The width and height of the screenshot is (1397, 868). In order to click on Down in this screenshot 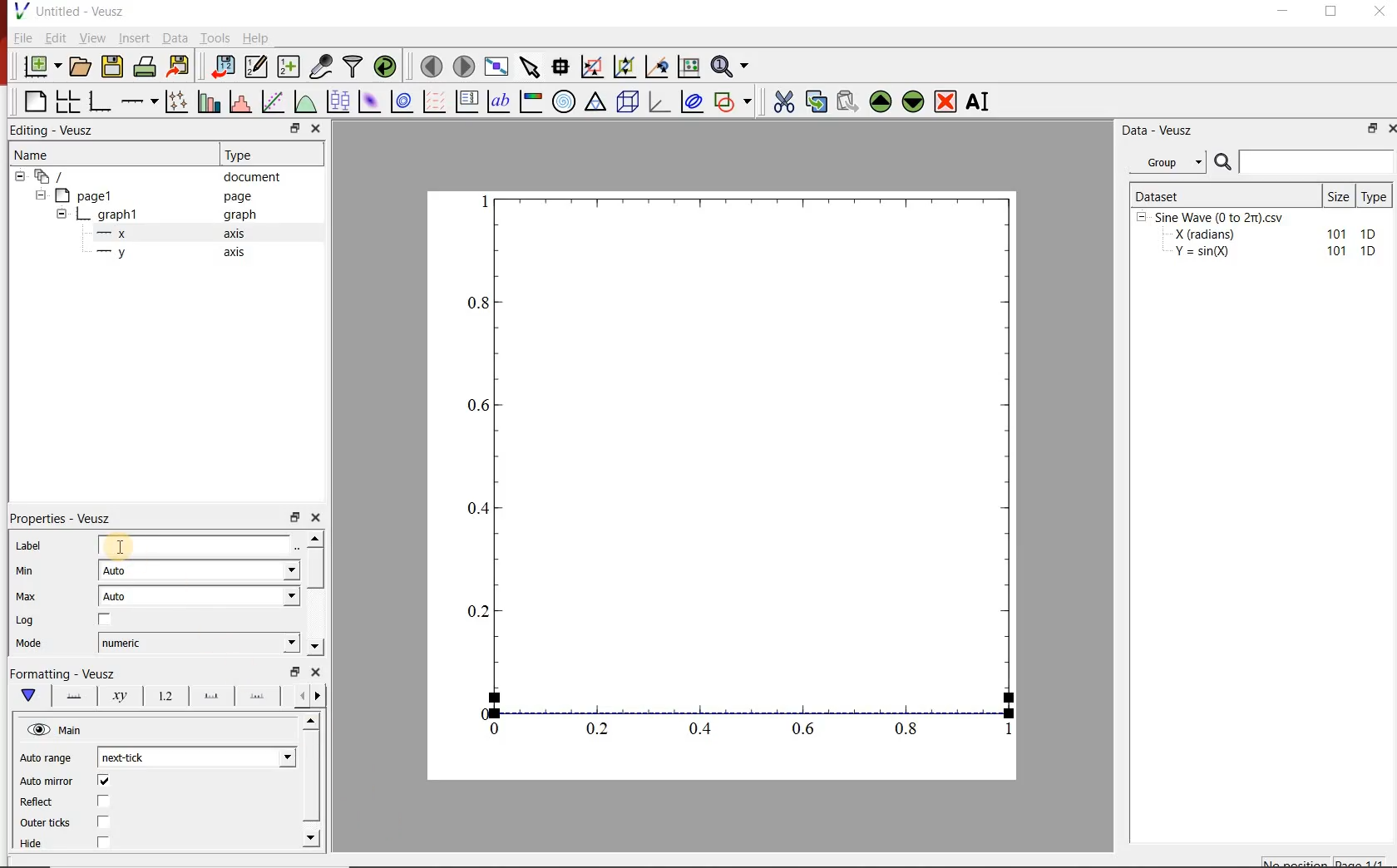, I will do `click(313, 837)`.